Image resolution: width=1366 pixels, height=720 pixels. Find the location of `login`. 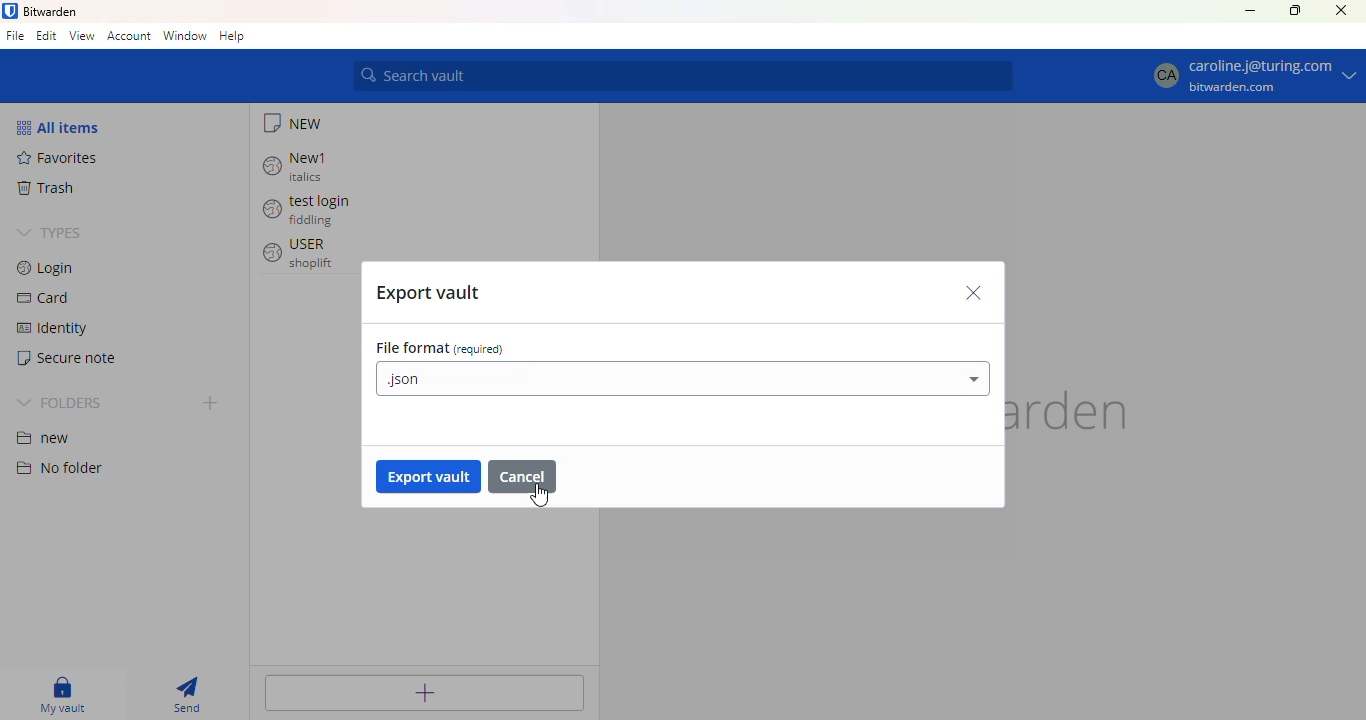

login is located at coordinates (48, 268).